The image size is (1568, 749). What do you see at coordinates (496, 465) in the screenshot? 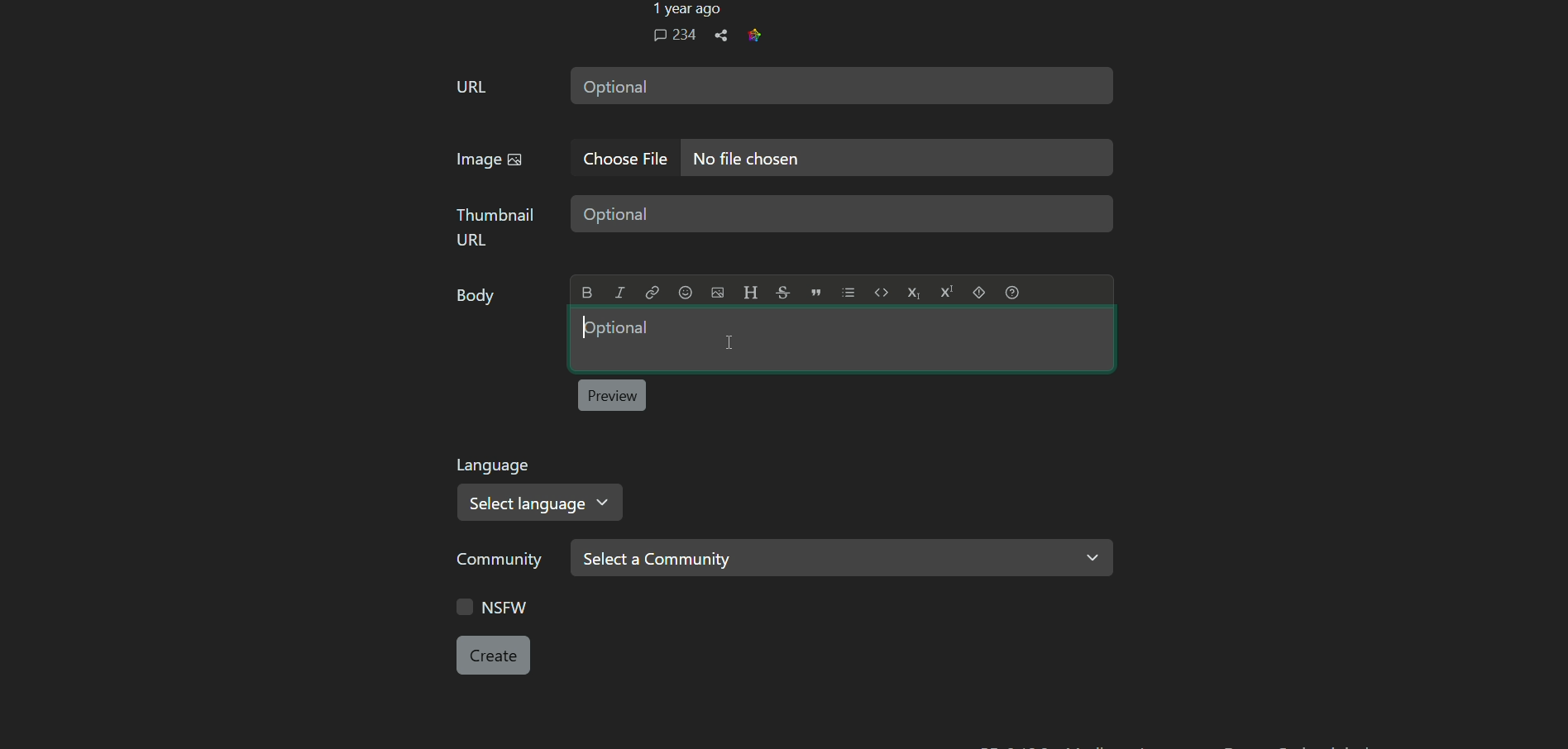
I see `Language` at bounding box center [496, 465].